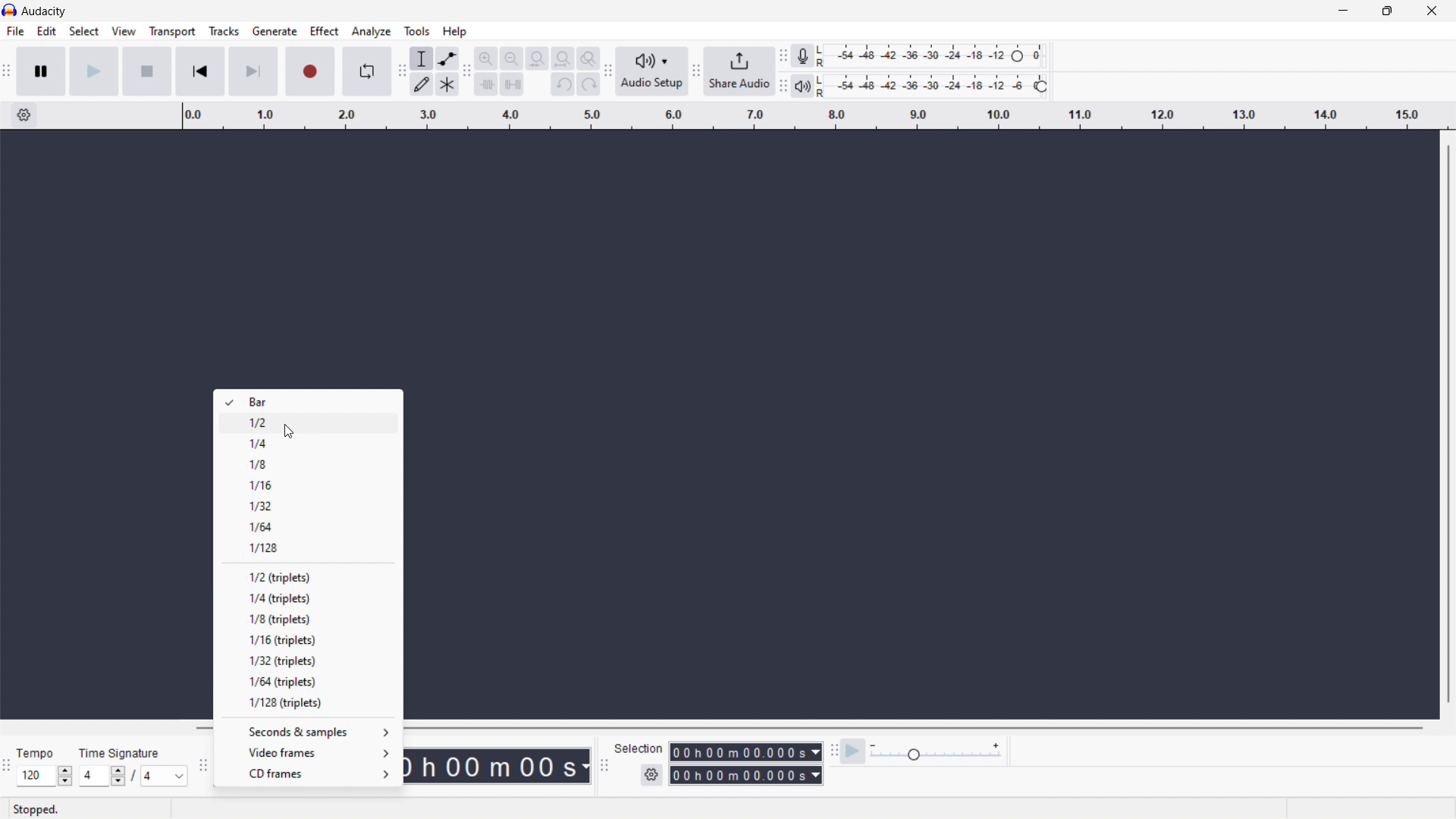 The height and width of the screenshot is (819, 1456). I want to click on toggle zoom, so click(588, 58).